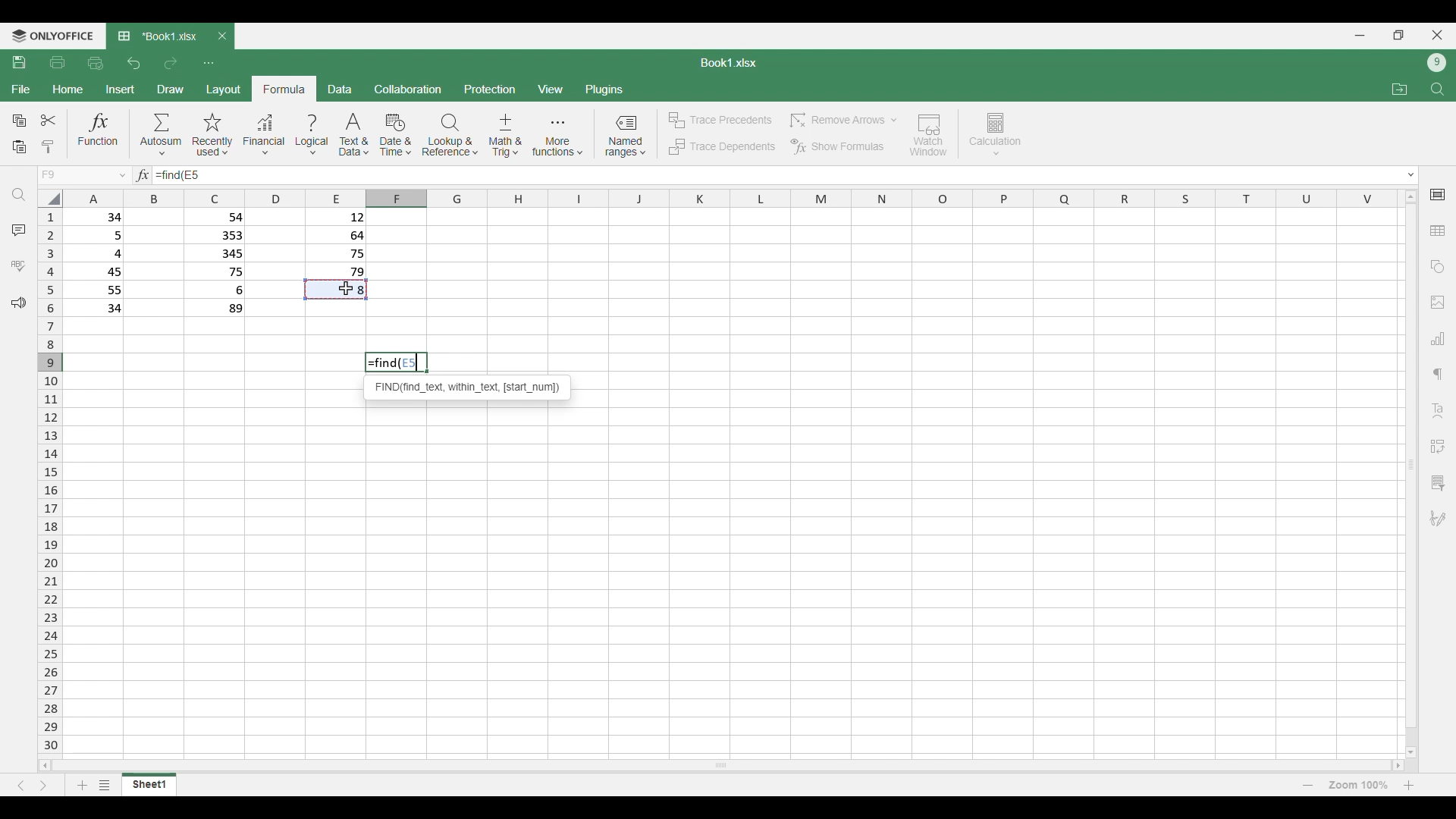 The height and width of the screenshot is (819, 1456). What do you see at coordinates (1358, 785) in the screenshot?
I see `Current zoom factor` at bounding box center [1358, 785].